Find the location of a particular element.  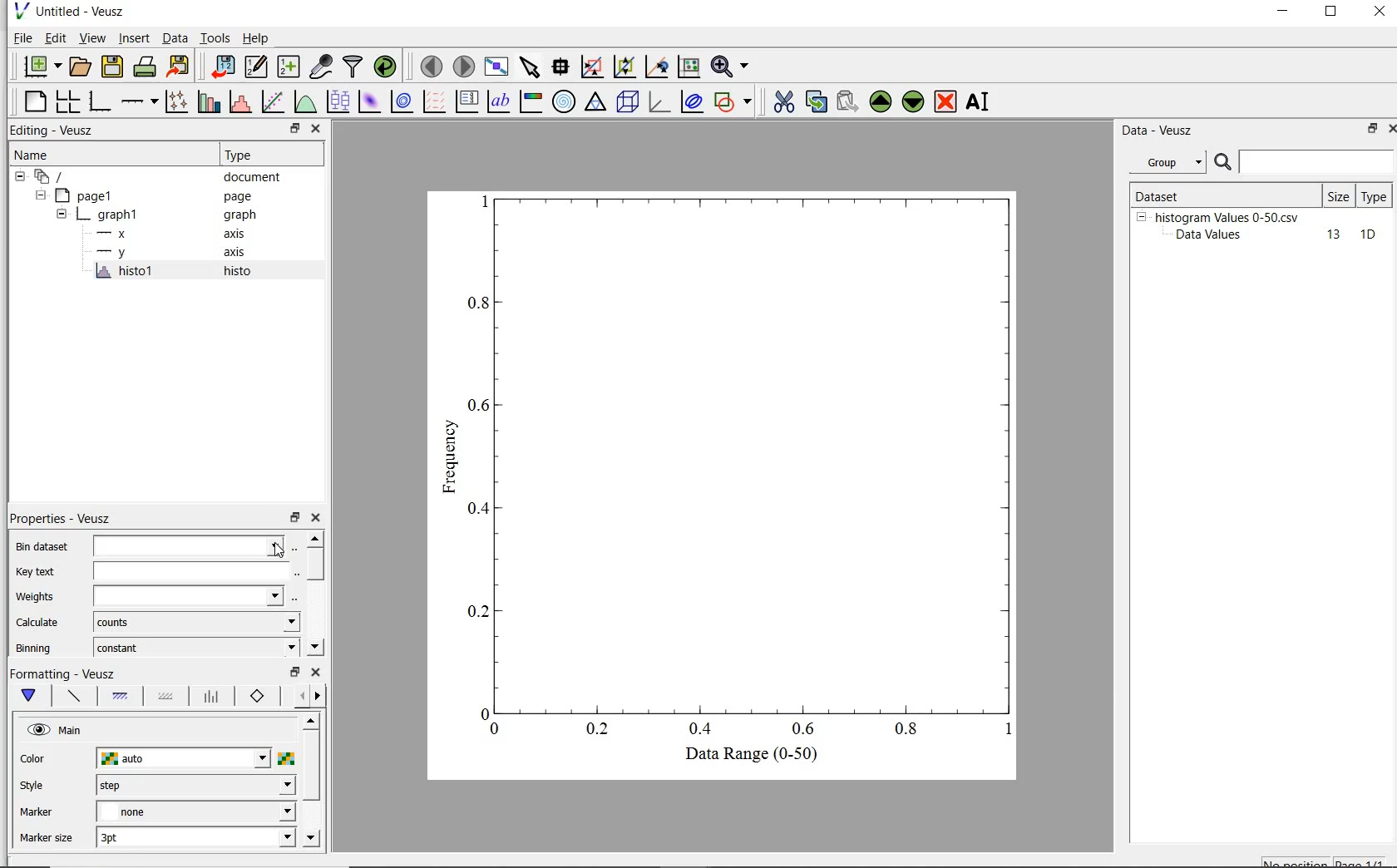

 auto  is located at coordinates (185, 759).